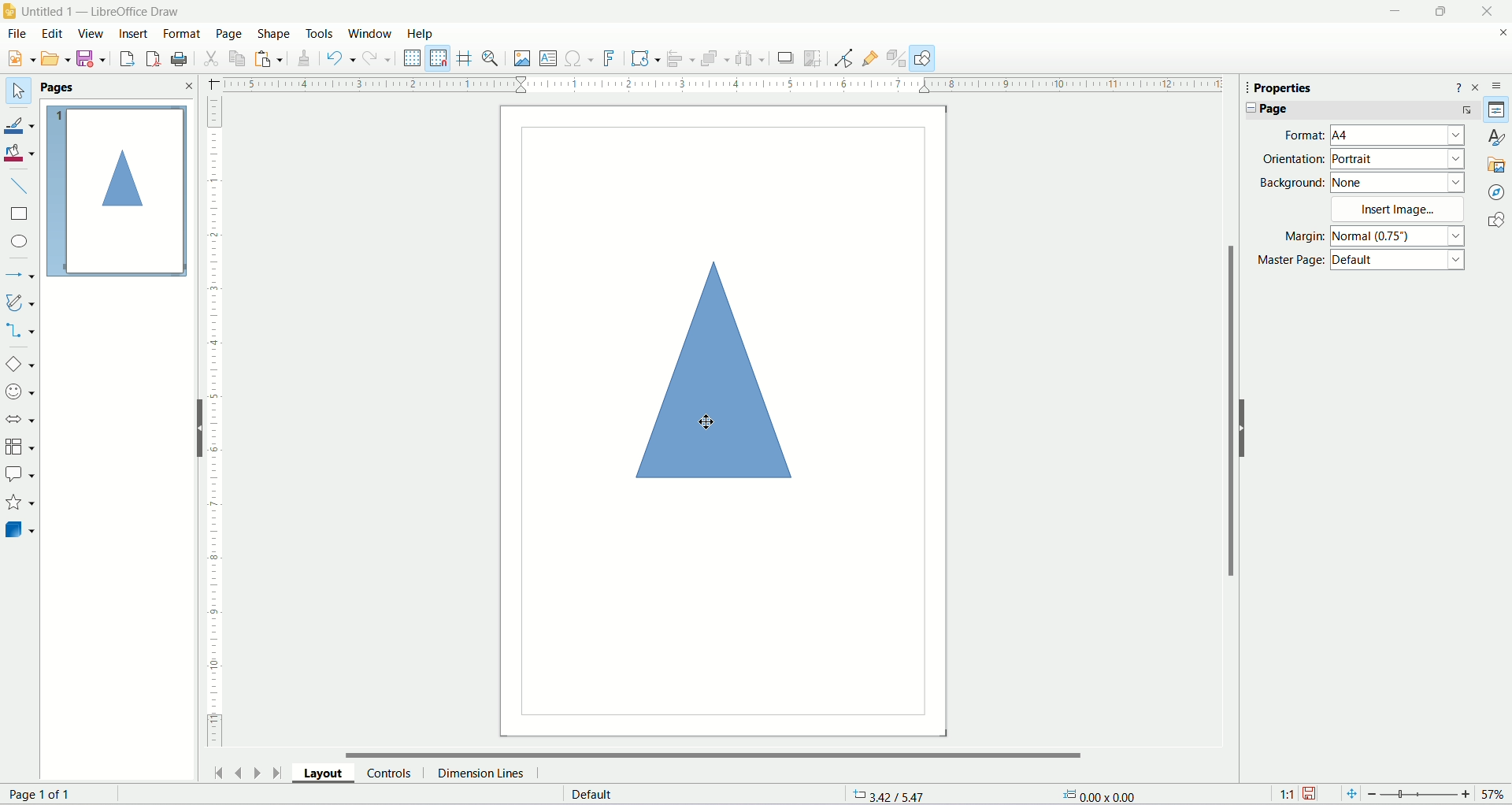 This screenshot has width=1512, height=805. I want to click on Background, so click(1289, 184).